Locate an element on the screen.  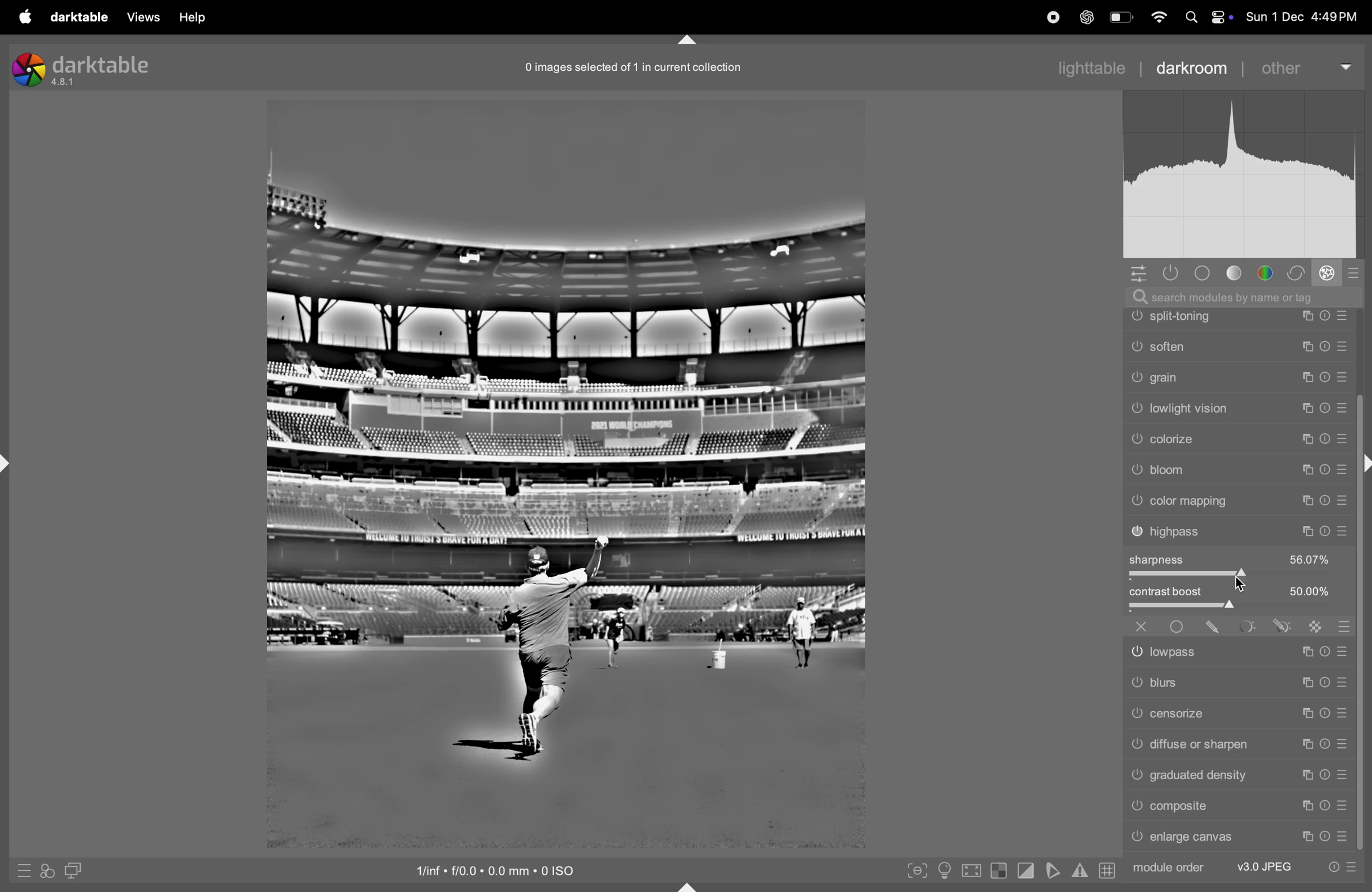
image is located at coordinates (565, 472).